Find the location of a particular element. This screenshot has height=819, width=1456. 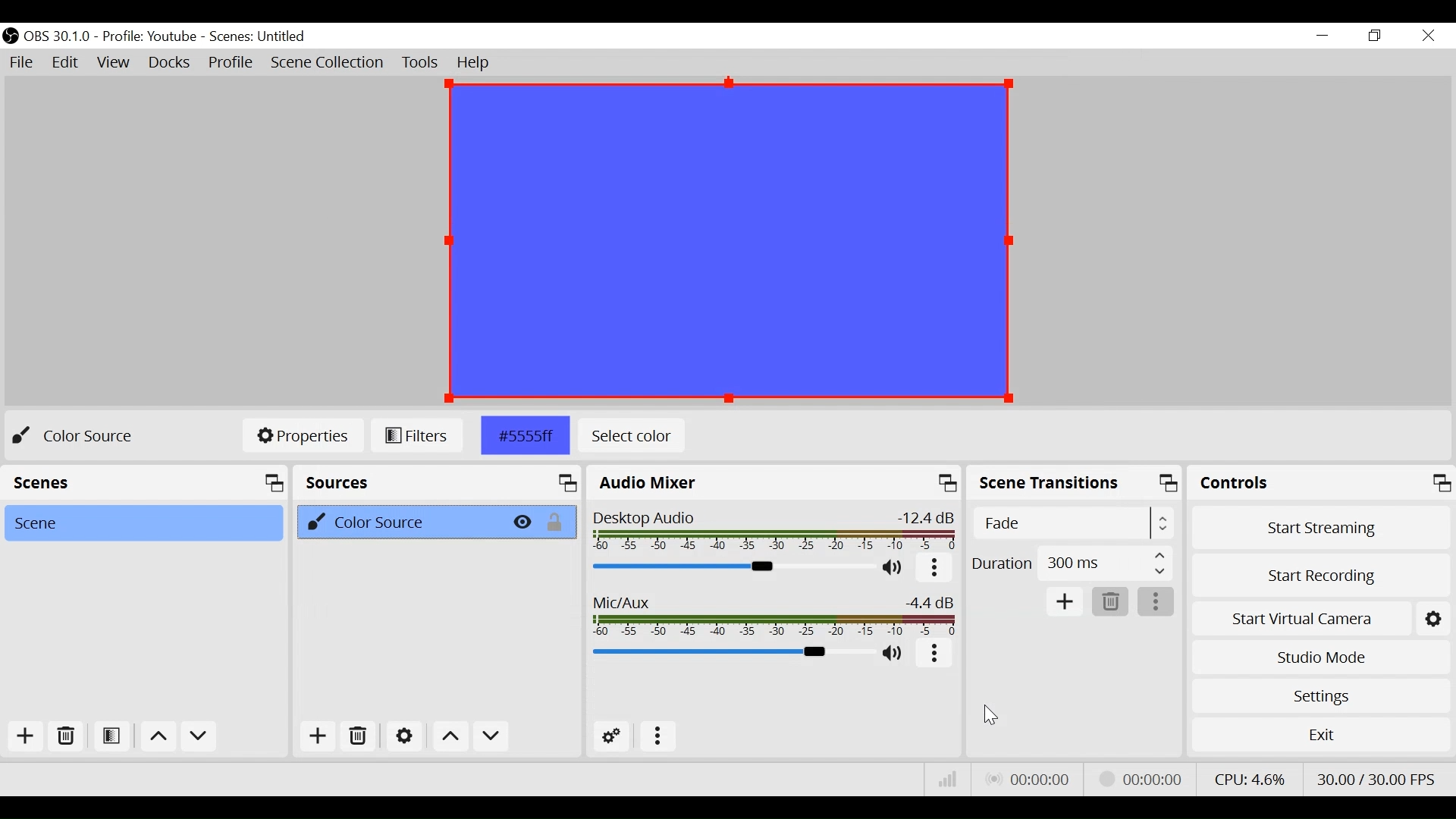

File is located at coordinates (20, 61).